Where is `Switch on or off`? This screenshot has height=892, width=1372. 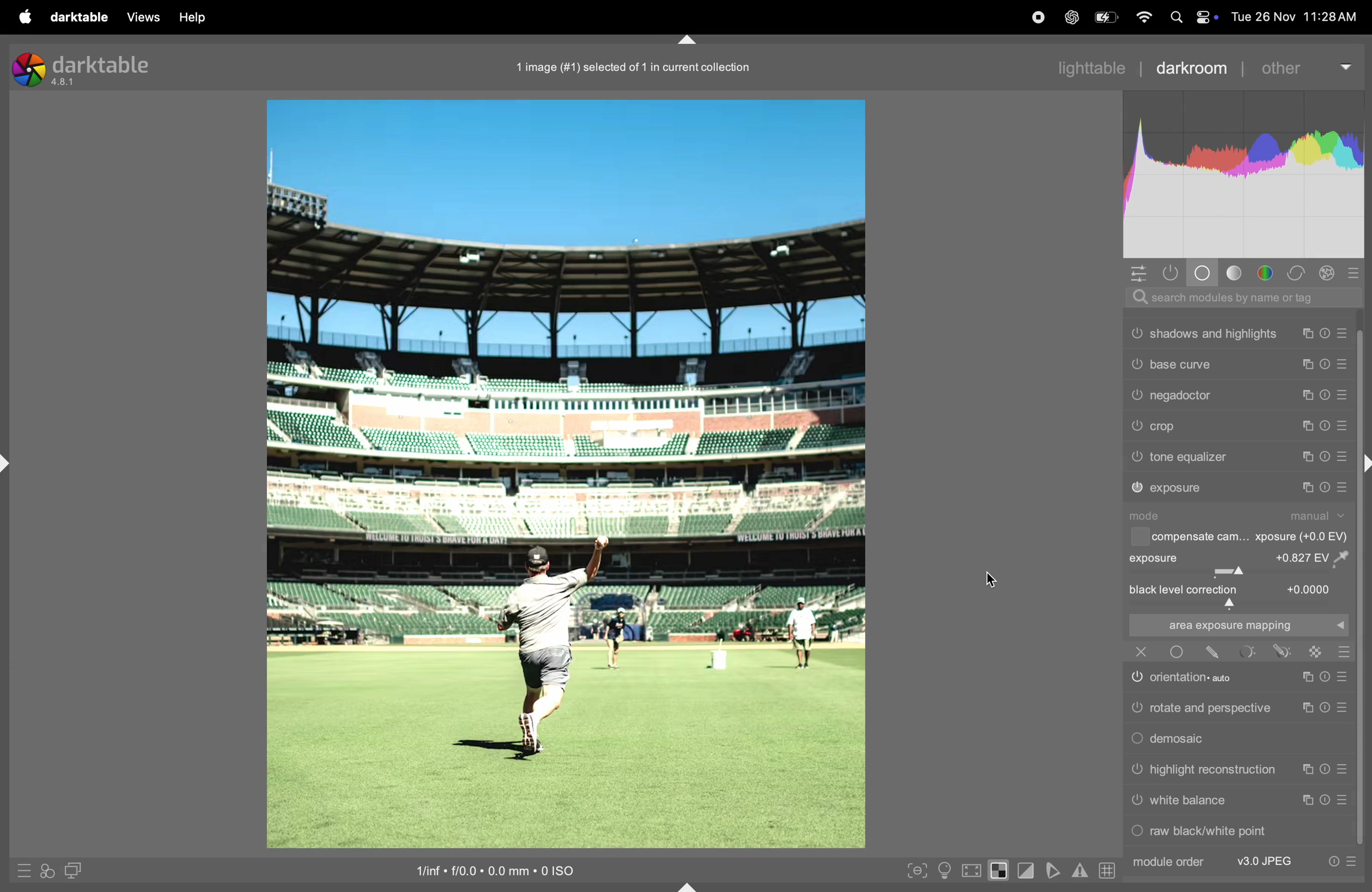 Switch on or off is located at coordinates (1136, 426).